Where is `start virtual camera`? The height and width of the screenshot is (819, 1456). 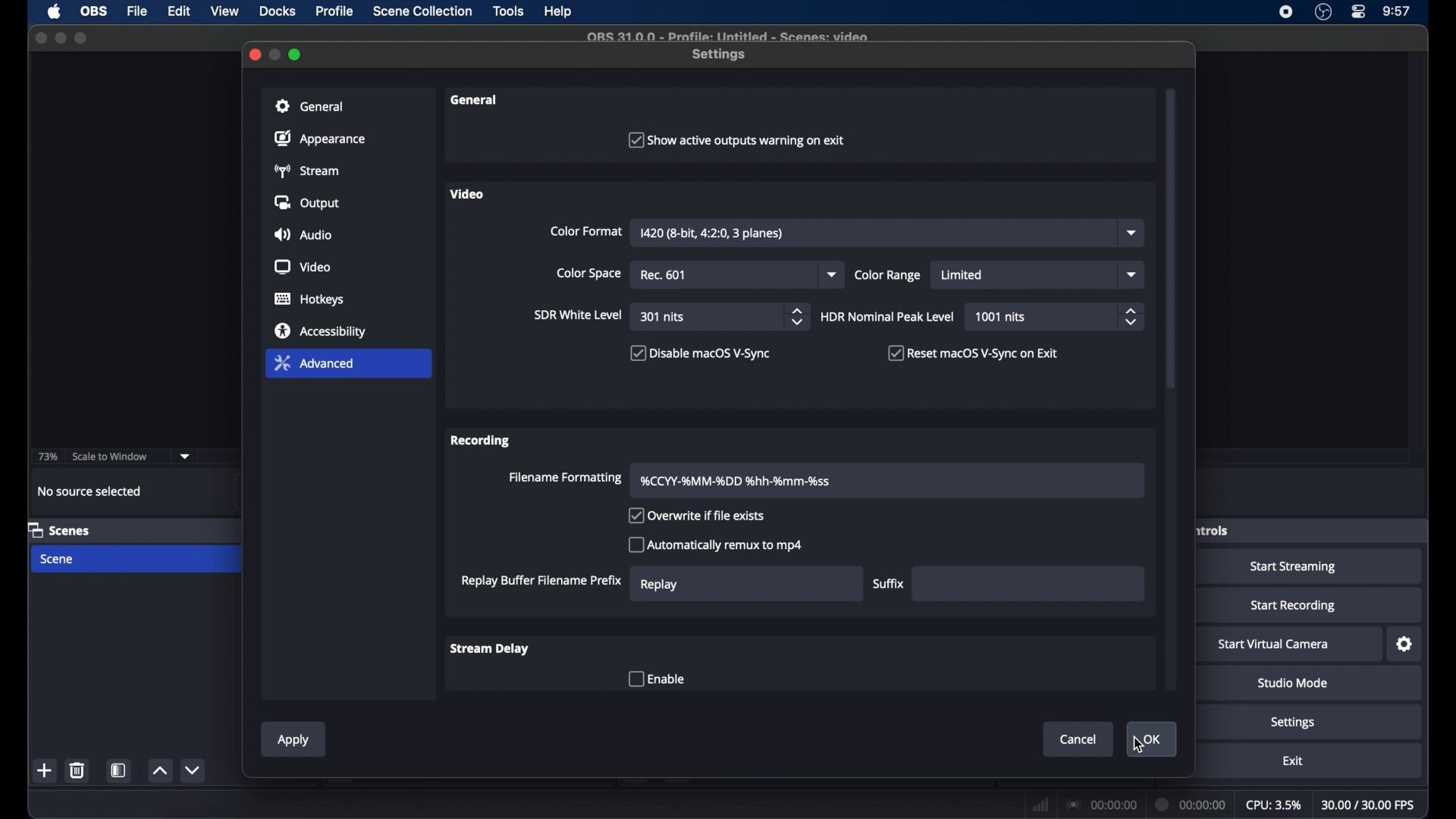 start virtual camera is located at coordinates (1274, 645).